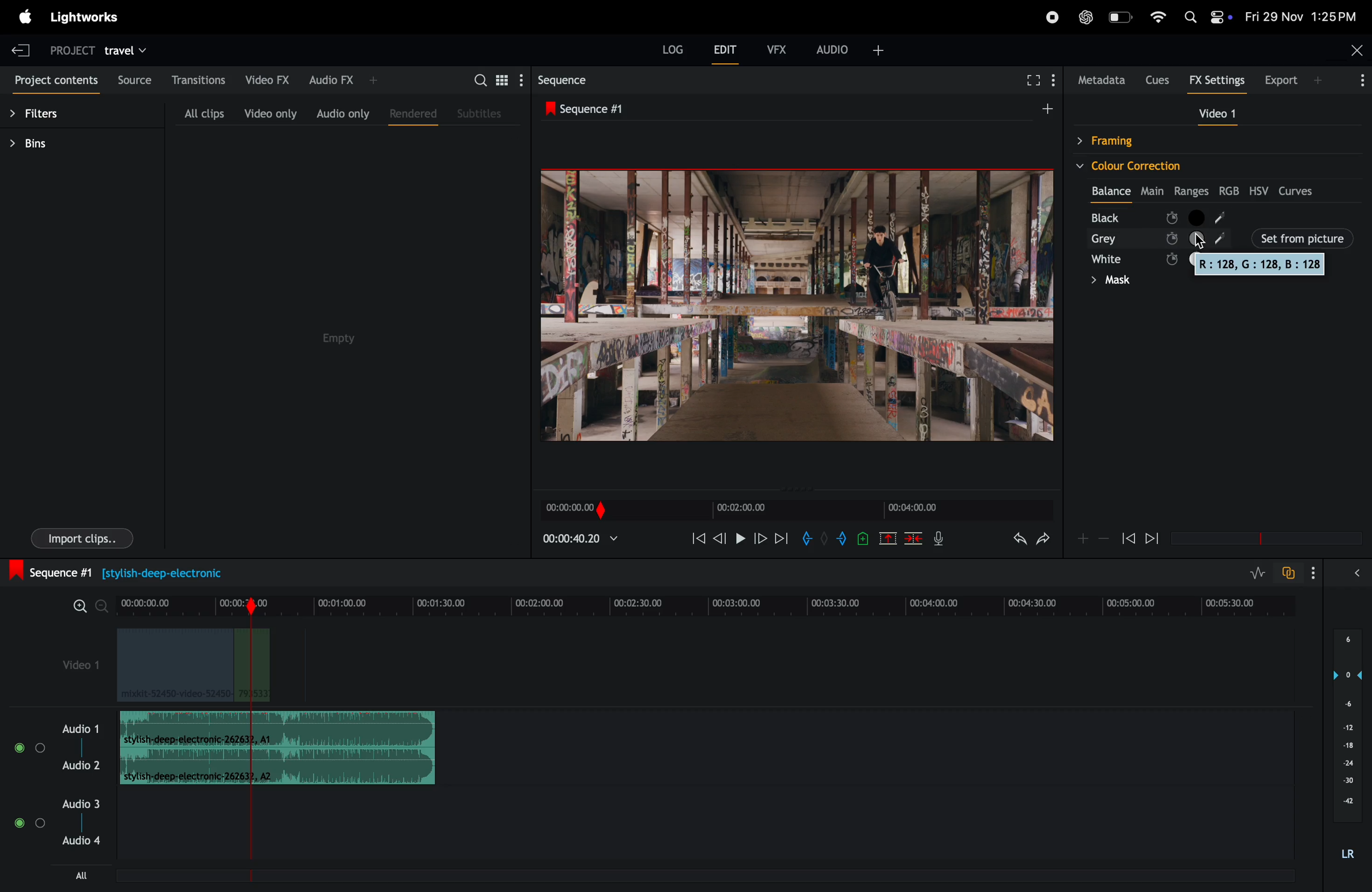 The width and height of the screenshot is (1372, 892). What do you see at coordinates (203, 113) in the screenshot?
I see `all clips` at bounding box center [203, 113].